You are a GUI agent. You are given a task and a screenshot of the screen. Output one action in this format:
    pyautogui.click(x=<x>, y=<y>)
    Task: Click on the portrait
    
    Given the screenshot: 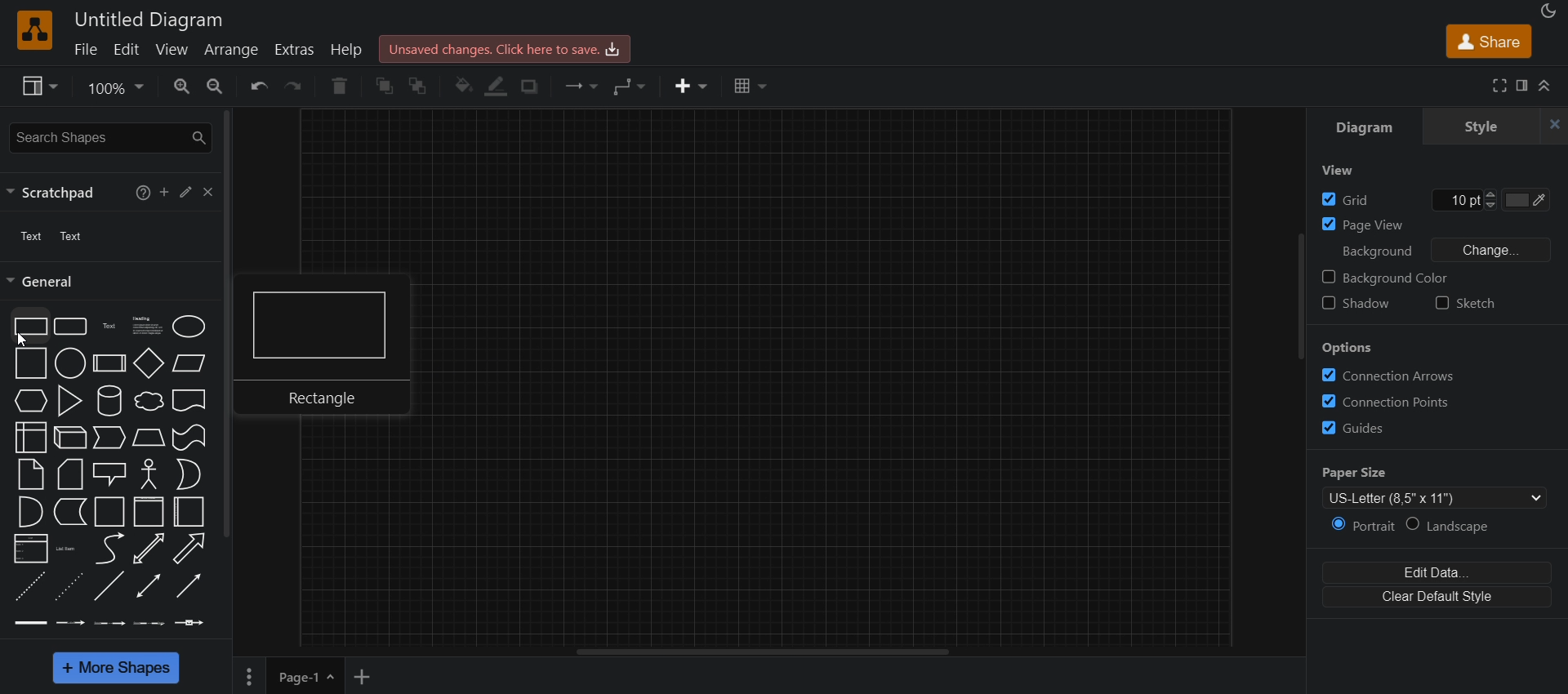 What is the action you would take?
    pyautogui.click(x=1361, y=525)
    